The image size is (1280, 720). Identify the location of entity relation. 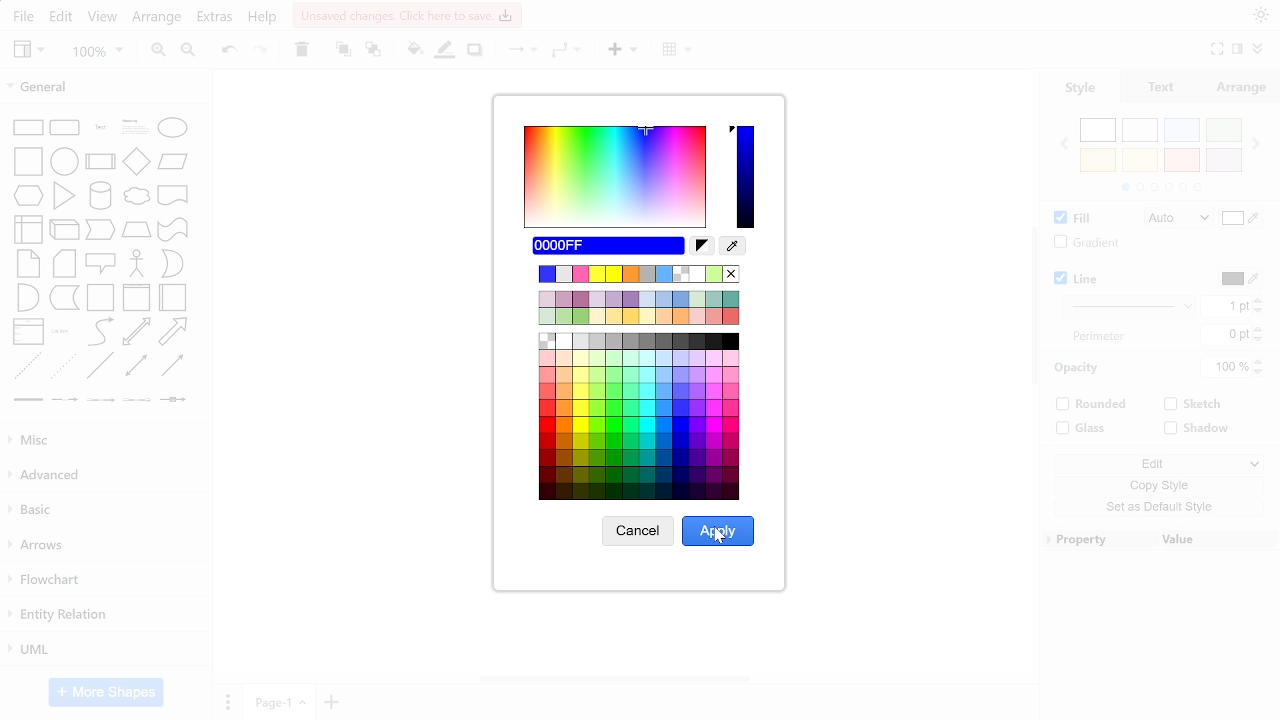
(105, 615).